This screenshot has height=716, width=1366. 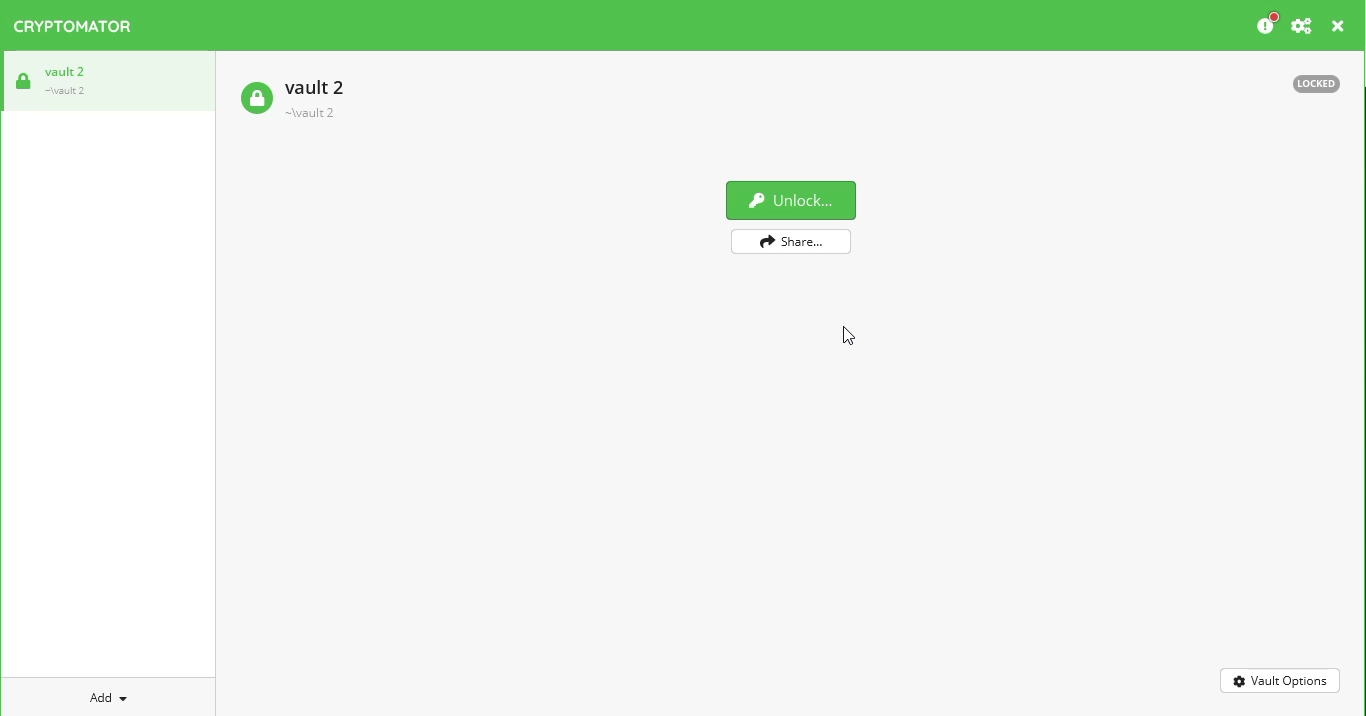 I want to click on vault options, so click(x=1280, y=681).